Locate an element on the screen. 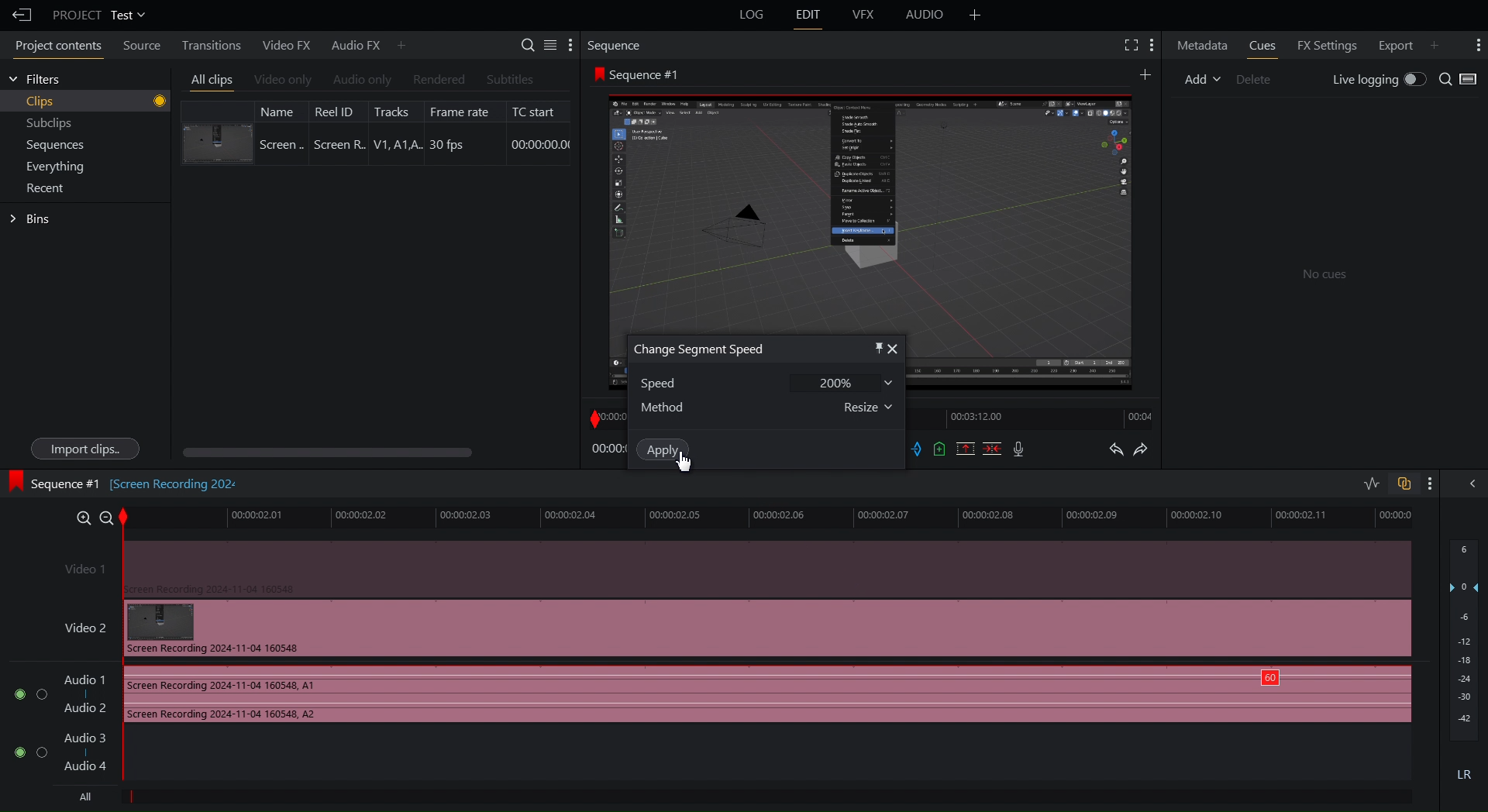 Image resolution: width=1488 pixels, height=812 pixels. Method is located at coordinates (767, 407).